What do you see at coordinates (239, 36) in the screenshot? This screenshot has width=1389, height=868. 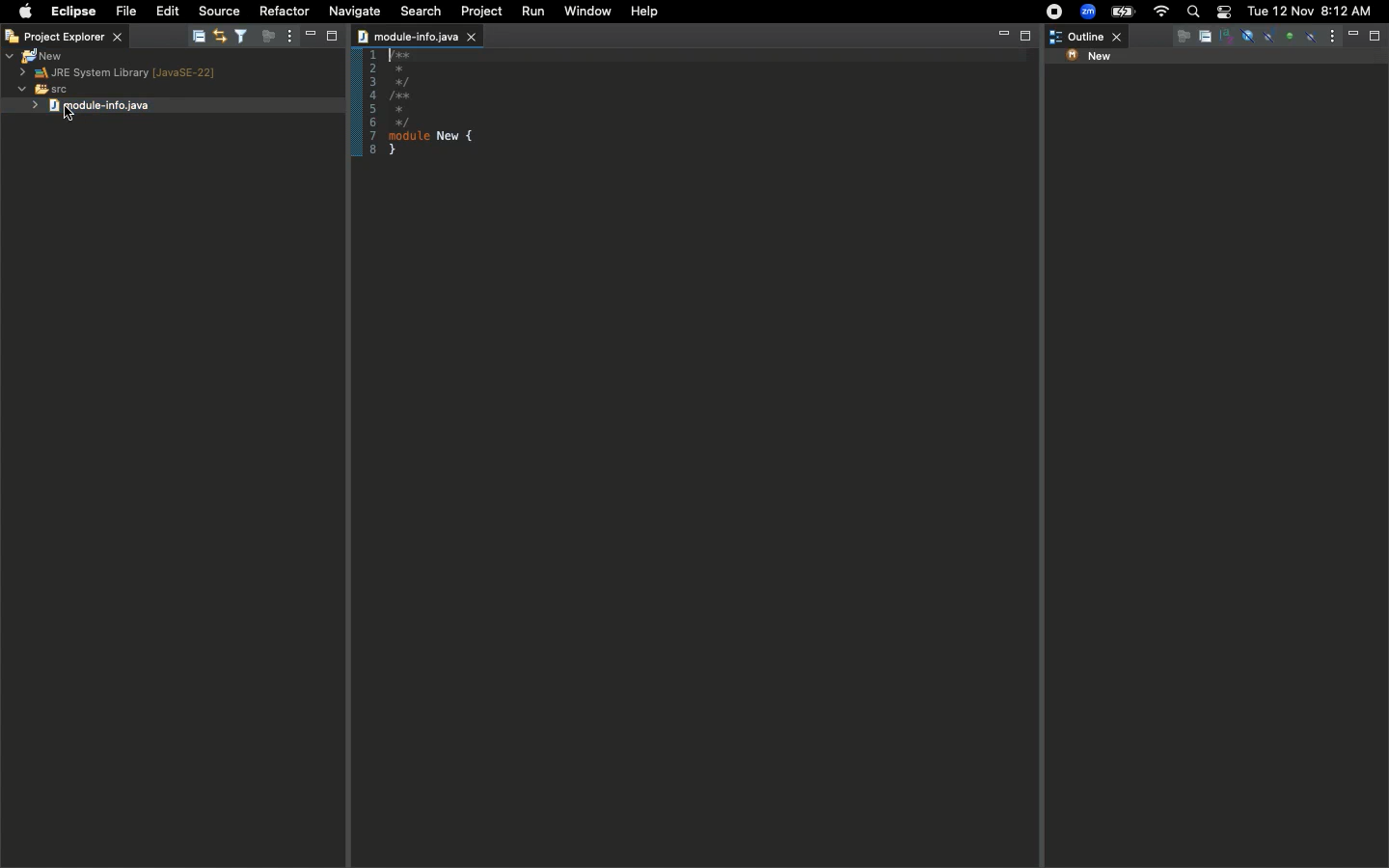 I see `Filter` at bounding box center [239, 36].